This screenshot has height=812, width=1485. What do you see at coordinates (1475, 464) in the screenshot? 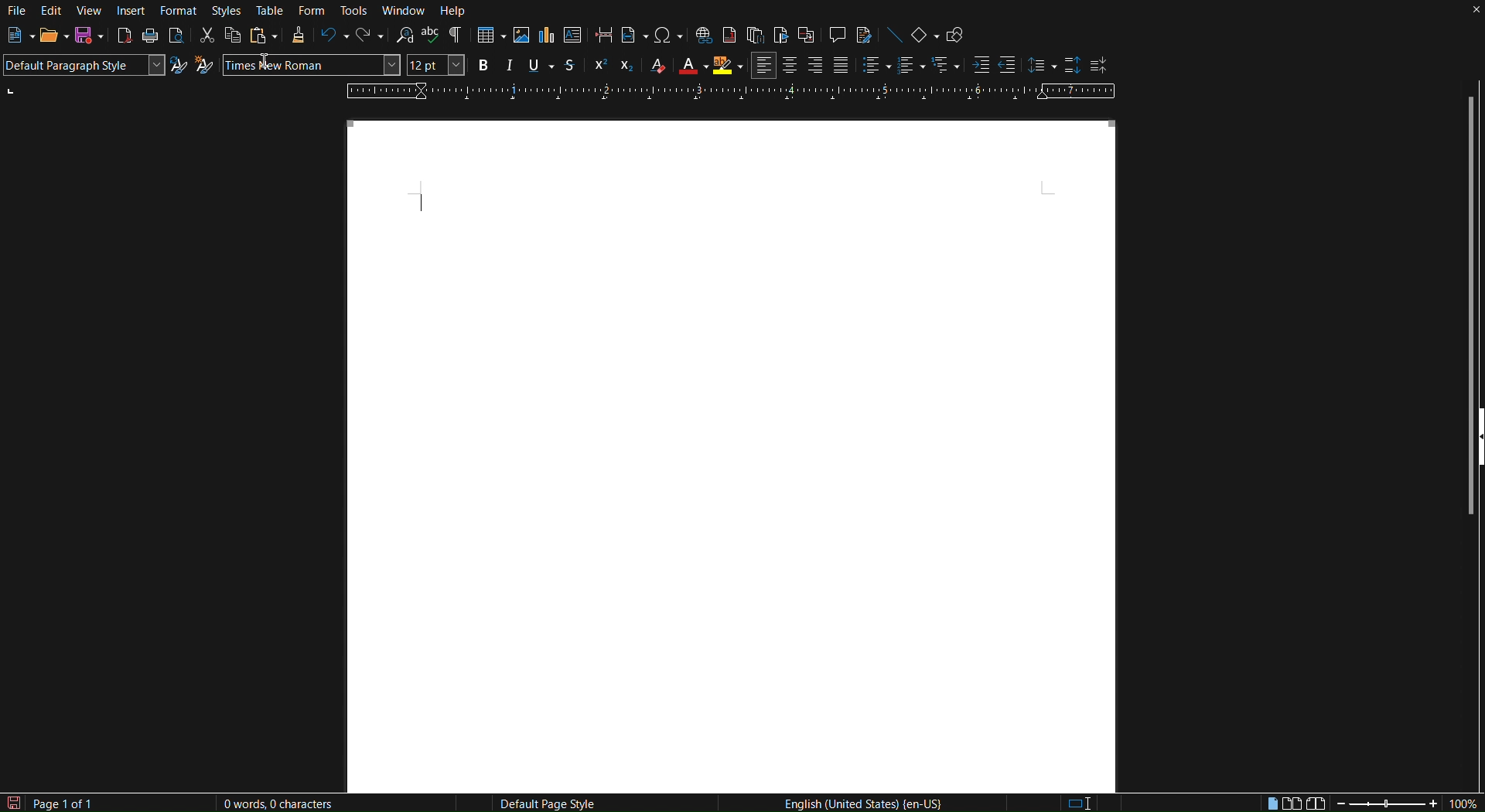
I see `Show` at bounding box center [1475, 464].